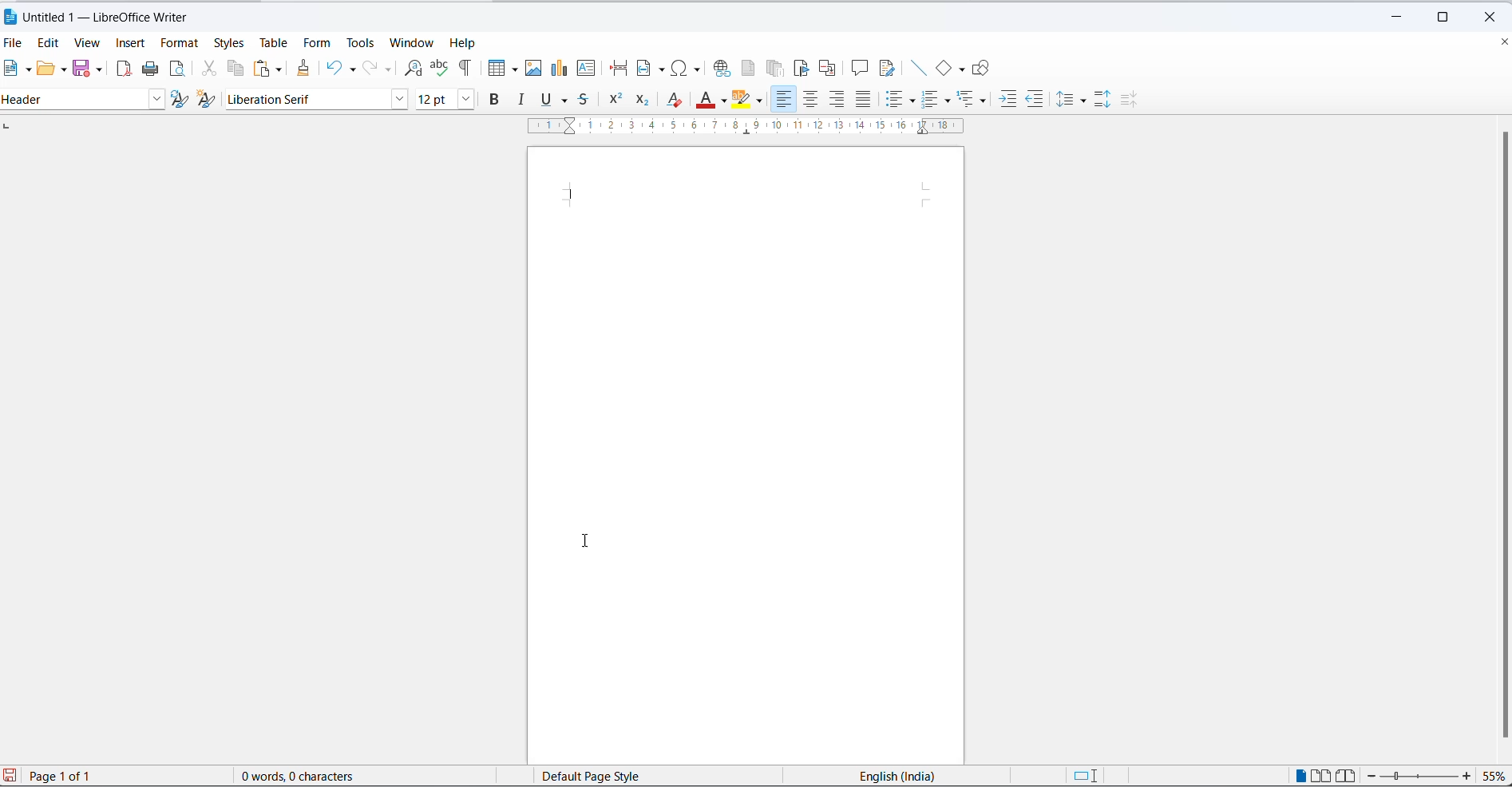 This screenshot has width=1512, height=787. Describe the element at coordinates (644, 101) in the screenshot. I see `subscript` at that location.